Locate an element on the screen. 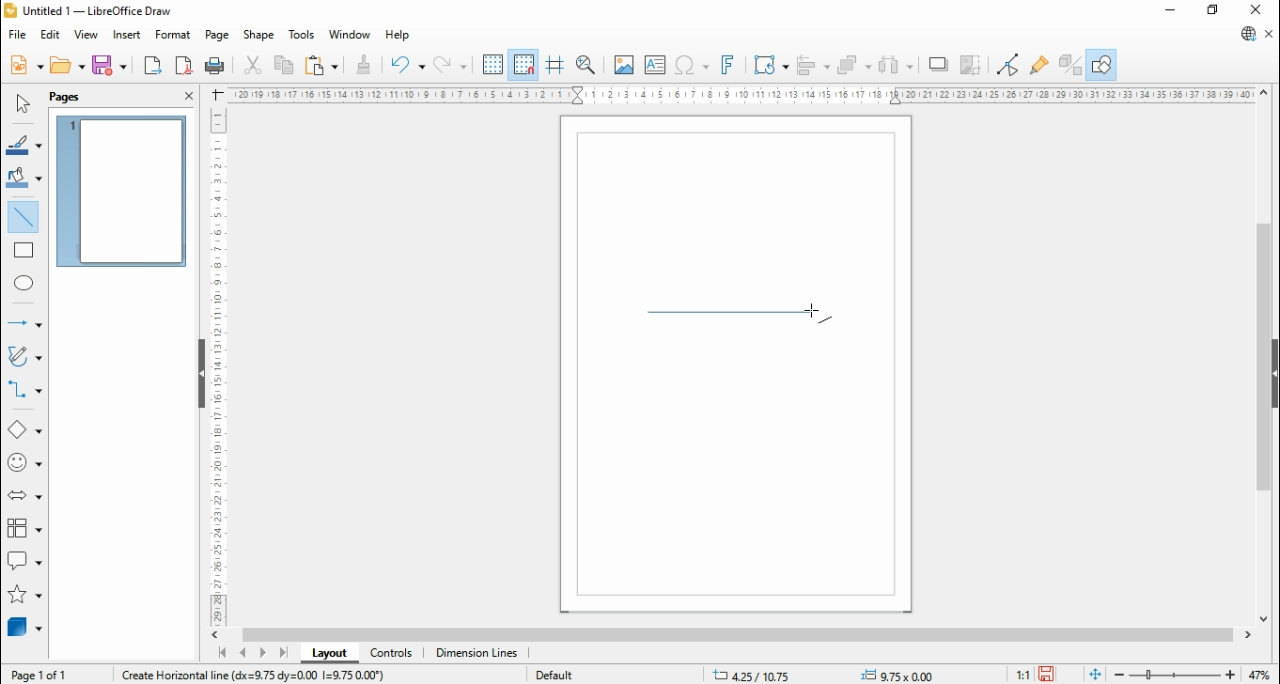 This screenshot has width=1280, height=684. shape is located at coordinates (259, 35).